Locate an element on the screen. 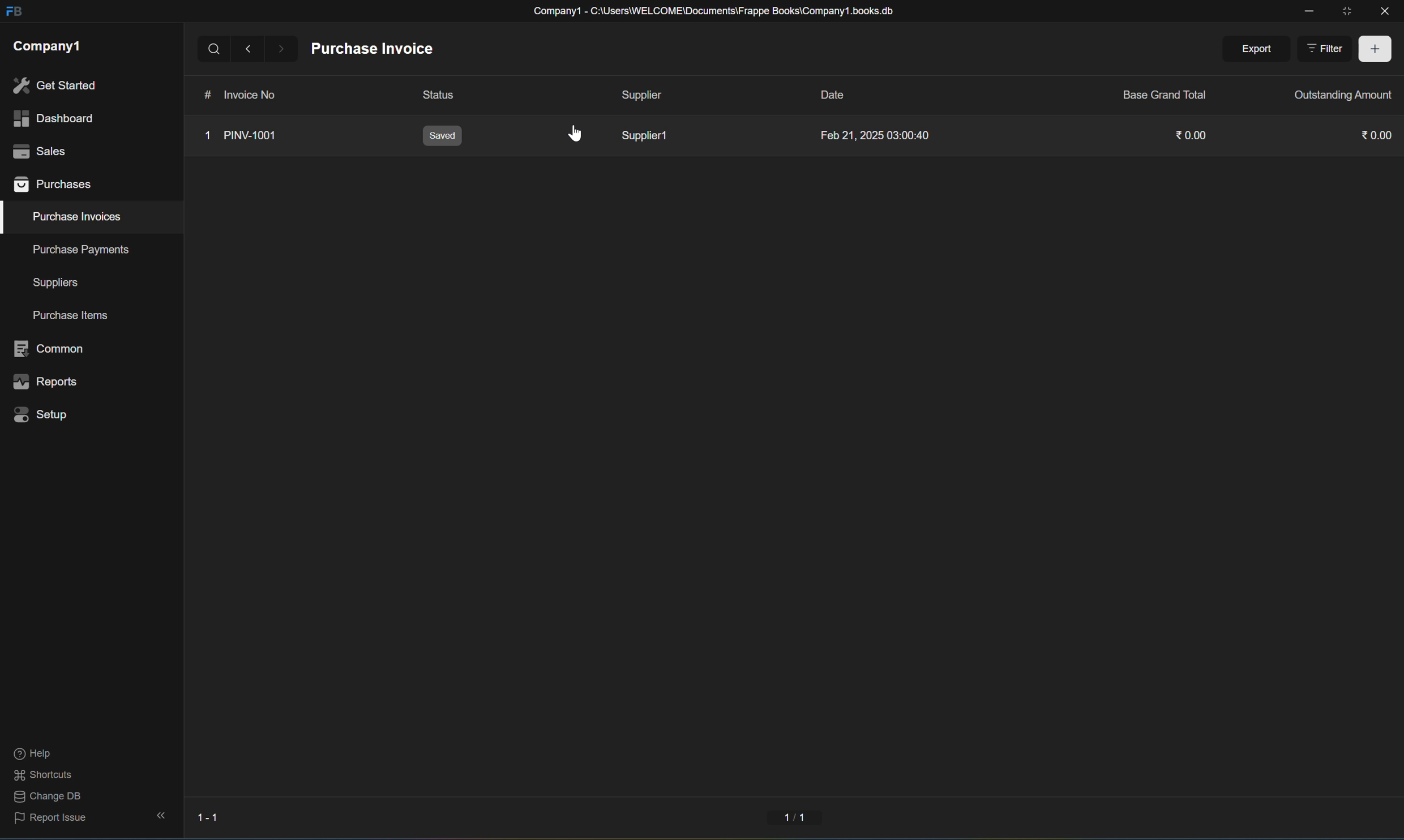 This screenshot has width=1404, height=840. invoice number is located at coordinates (242, 93).